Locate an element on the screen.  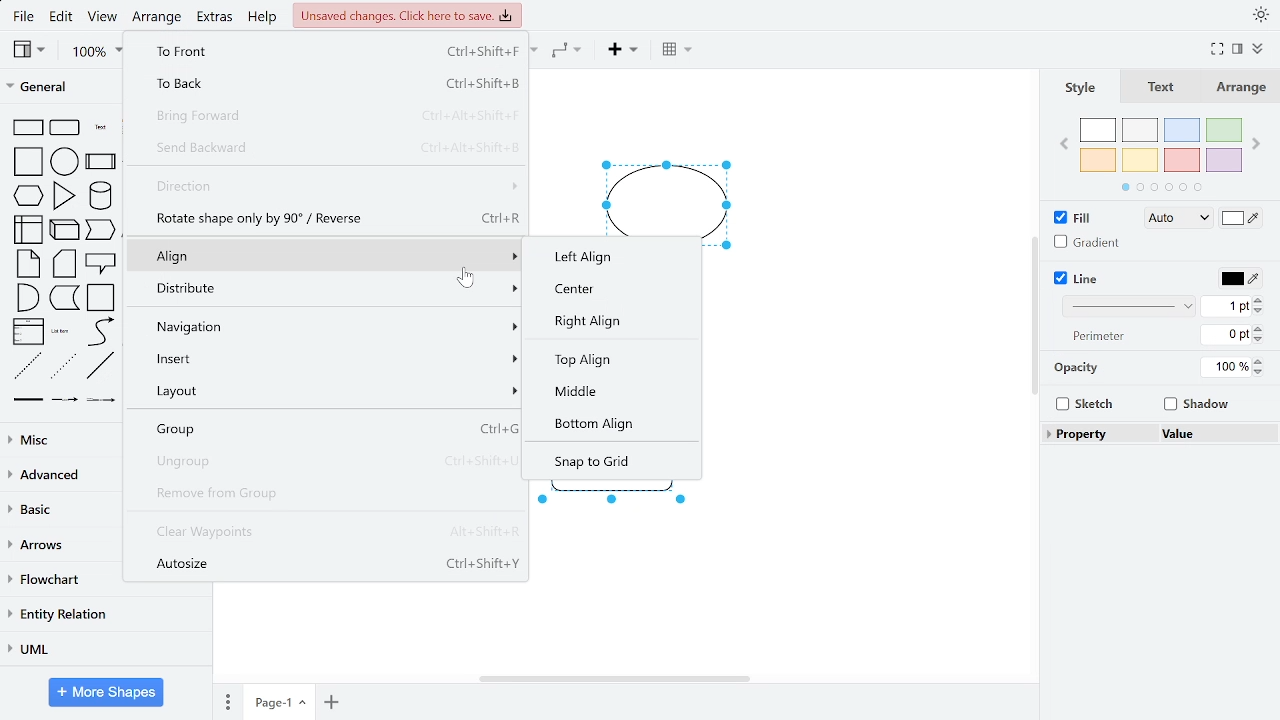
step is located at coordinates (100, 231).